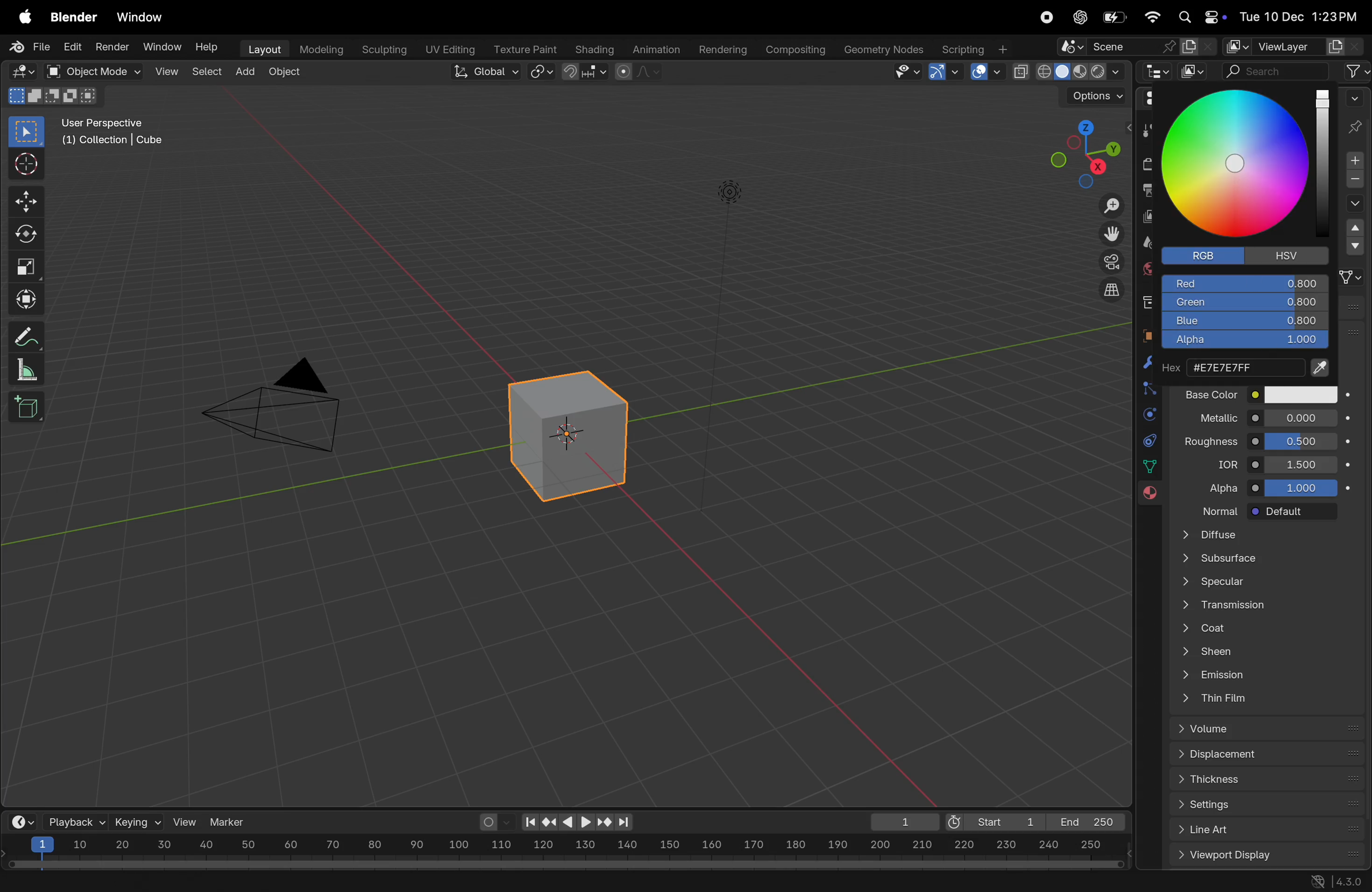 This screenshot has height=892, width=1372. What do you see at coordinates (22, 369) in the screenshot?
I see `scale` at bounding box center [22, 369].